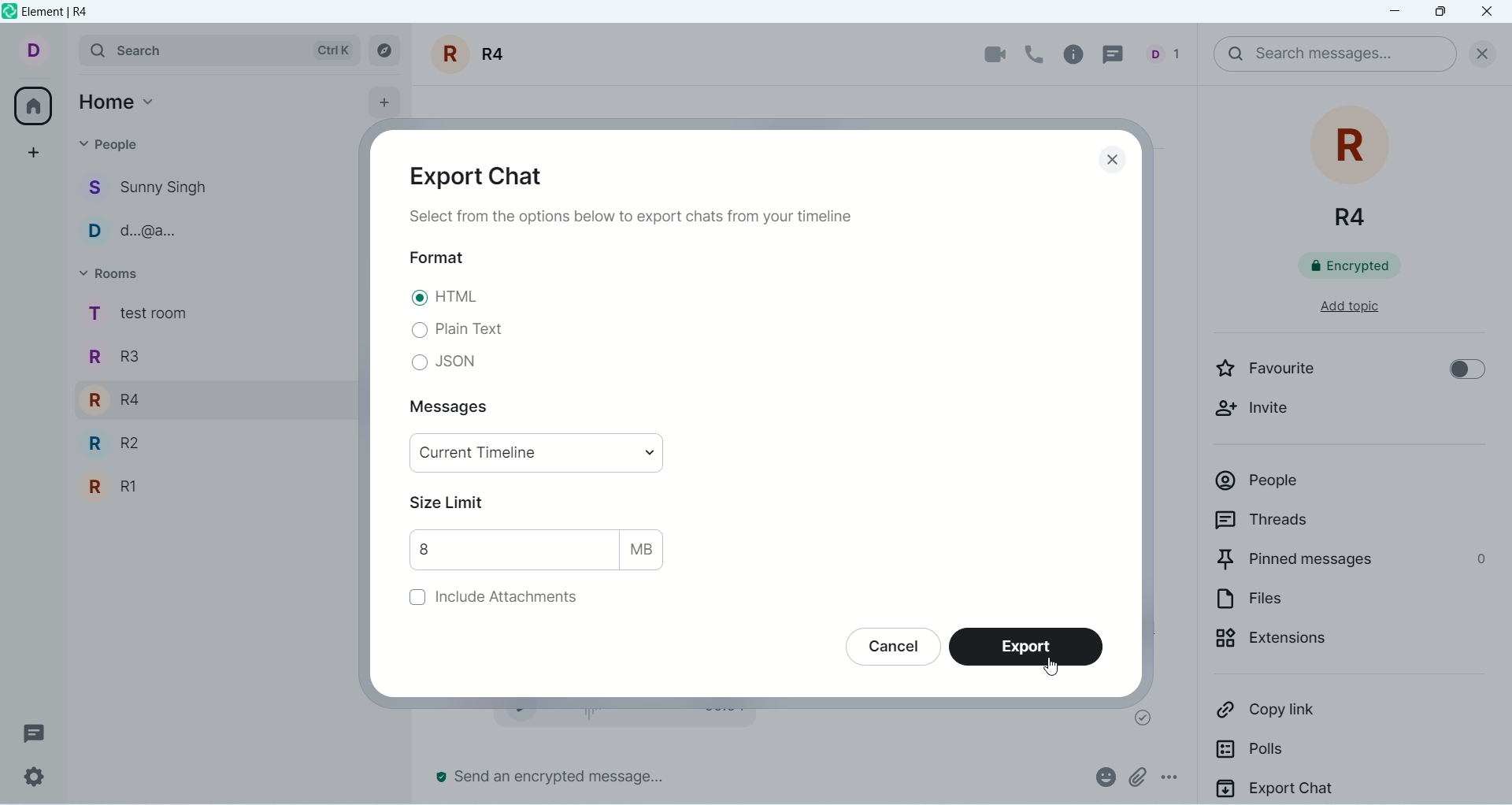  I want to click on all rooms, so click(31, 109).